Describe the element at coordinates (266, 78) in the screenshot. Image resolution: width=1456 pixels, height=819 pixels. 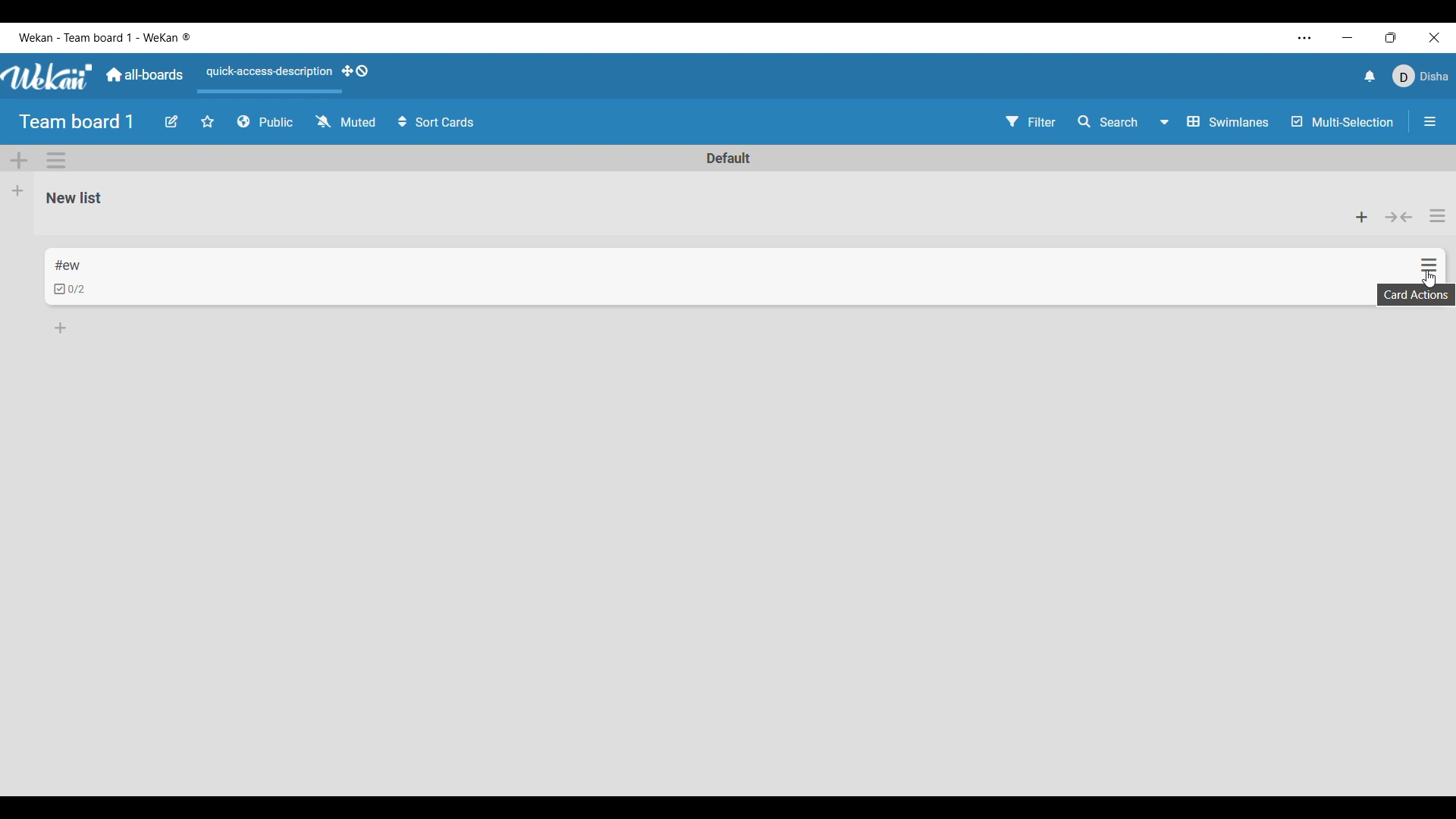
I see `Quick access description` at that location.